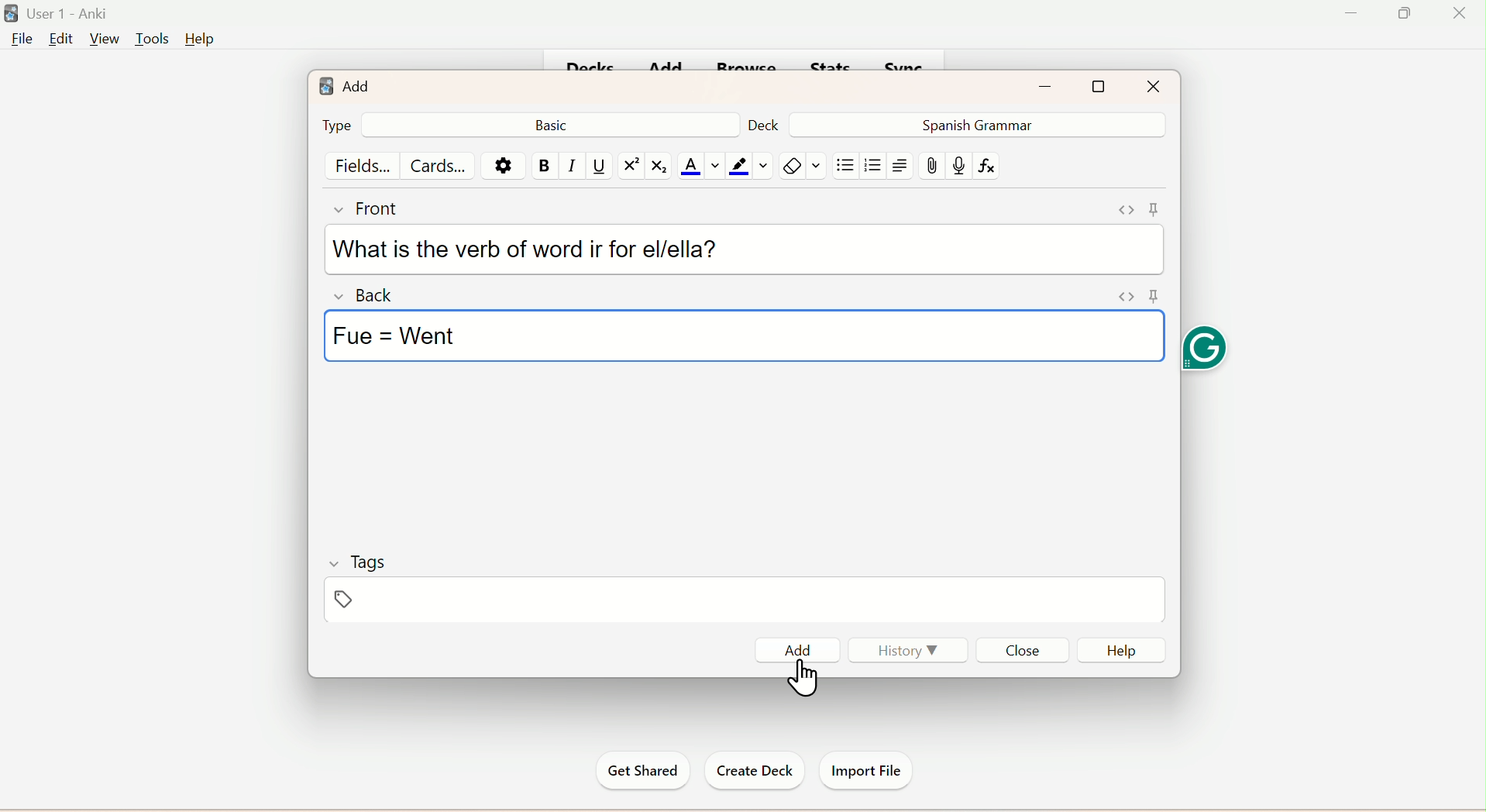  What do you see at coordinates (764, 124) in the screenshot?
I see `Deck` at bounding box center [764, 124].